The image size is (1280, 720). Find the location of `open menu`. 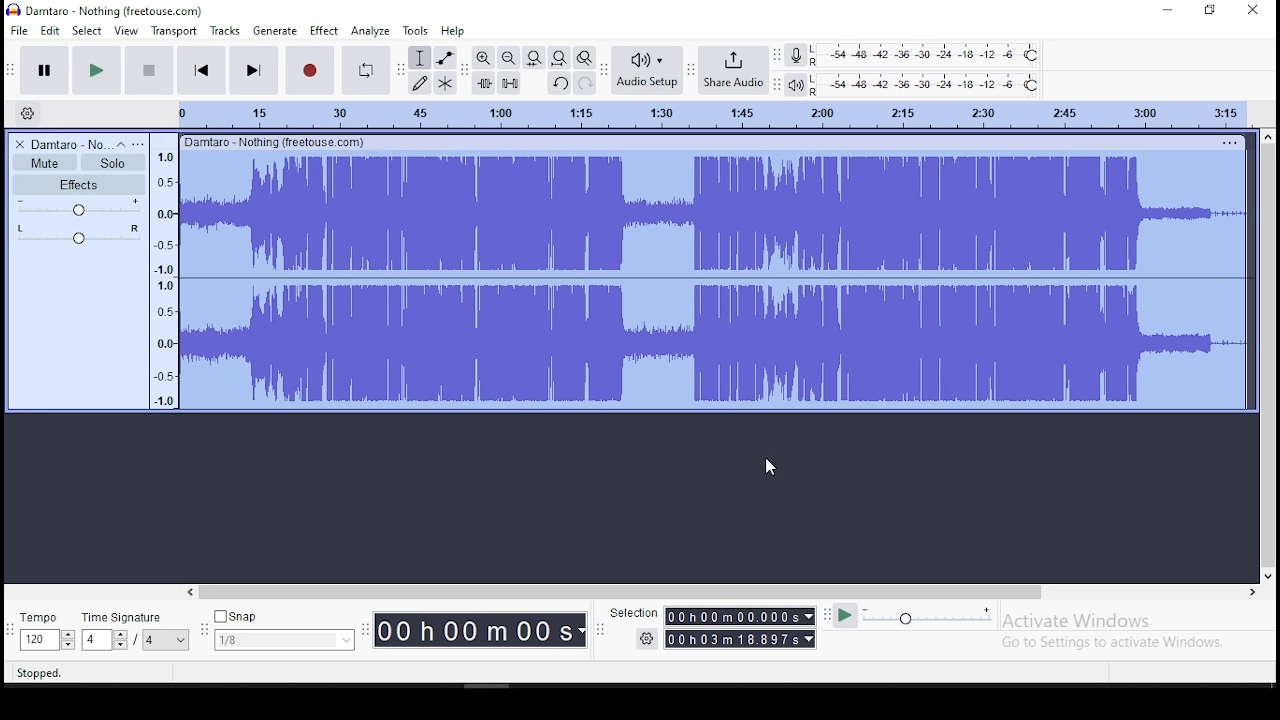

open menu is located at coordinates (141, 143).